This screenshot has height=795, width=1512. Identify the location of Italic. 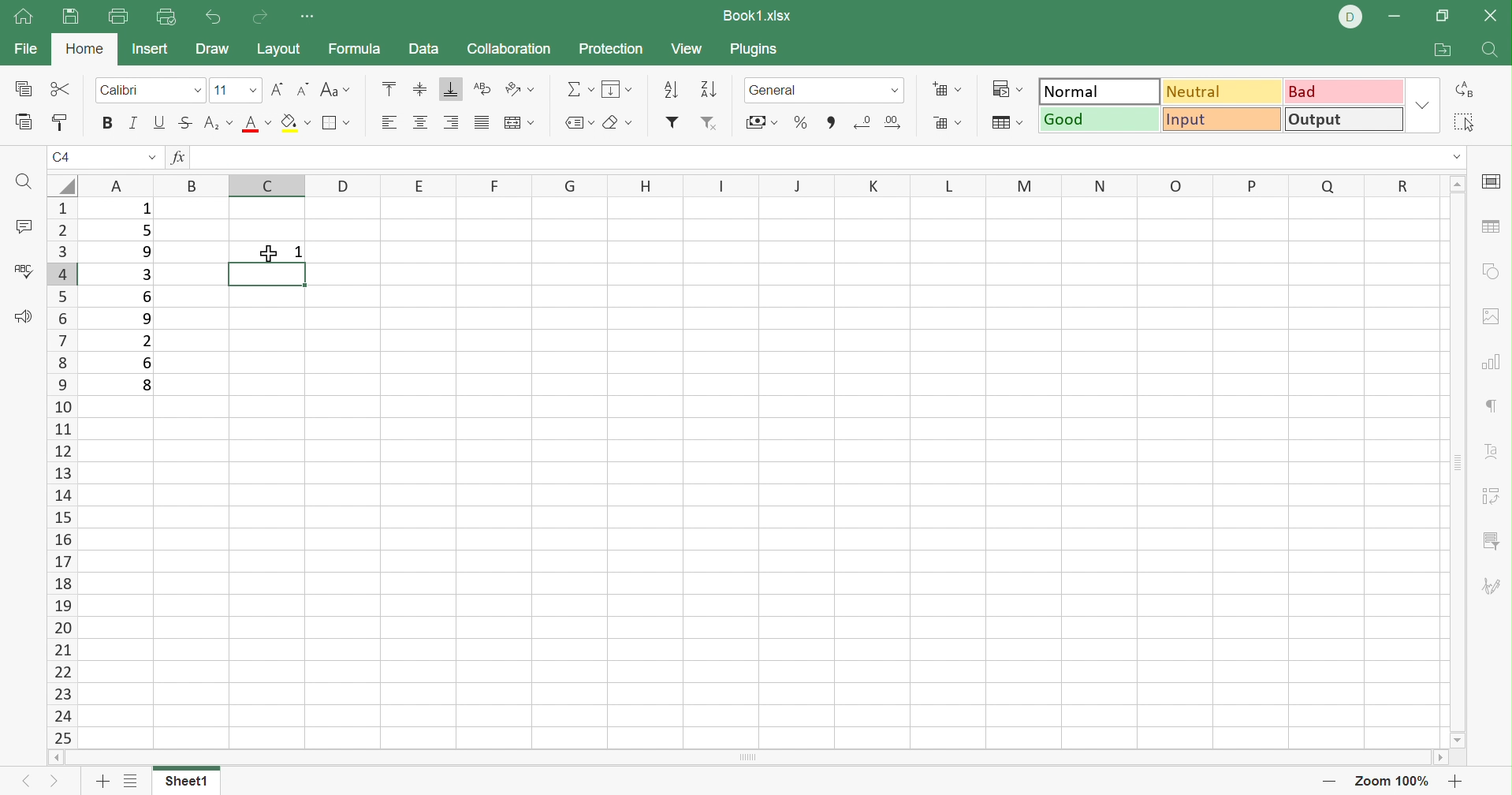
(136, 121).